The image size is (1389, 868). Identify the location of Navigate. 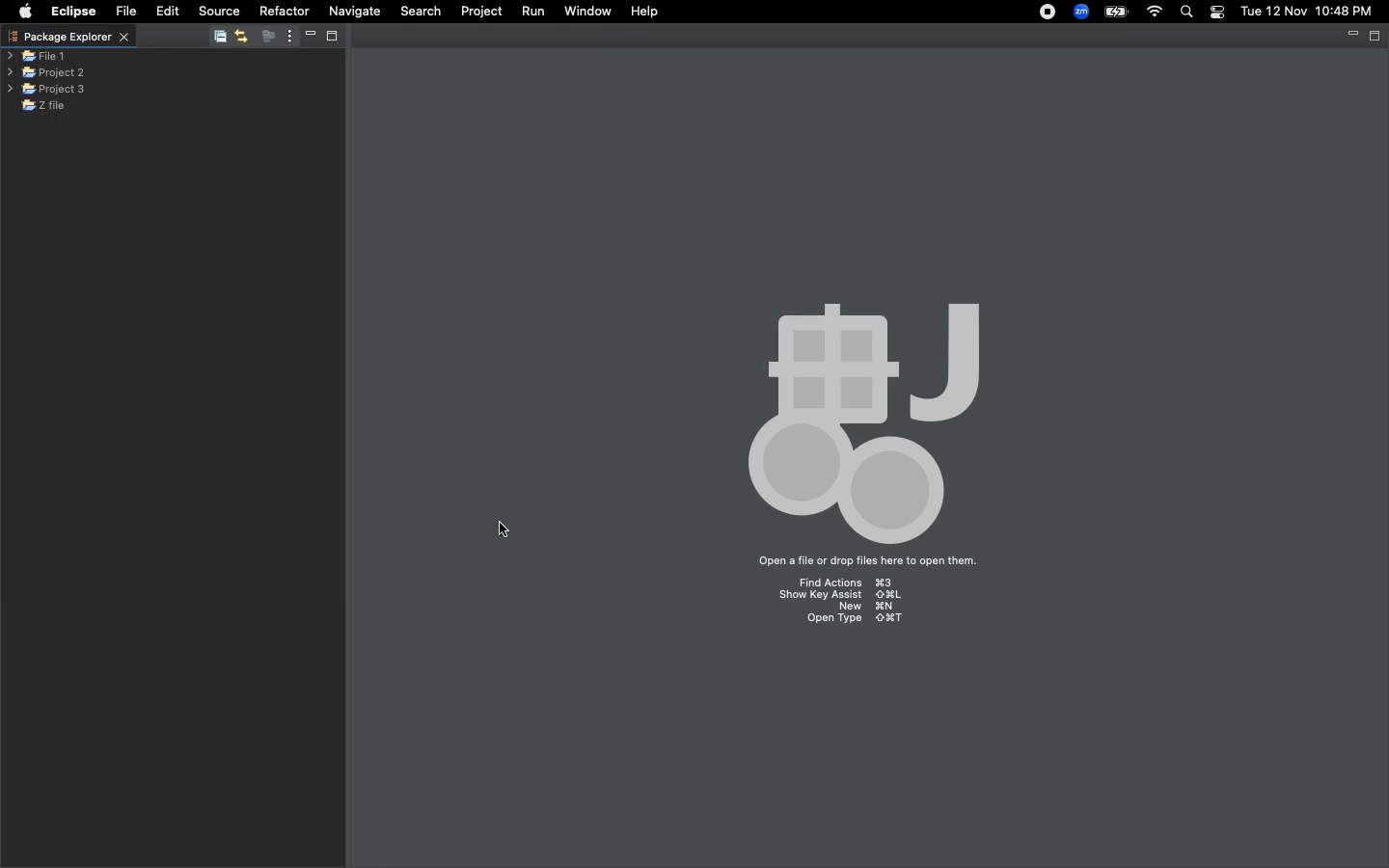
(356, 11).